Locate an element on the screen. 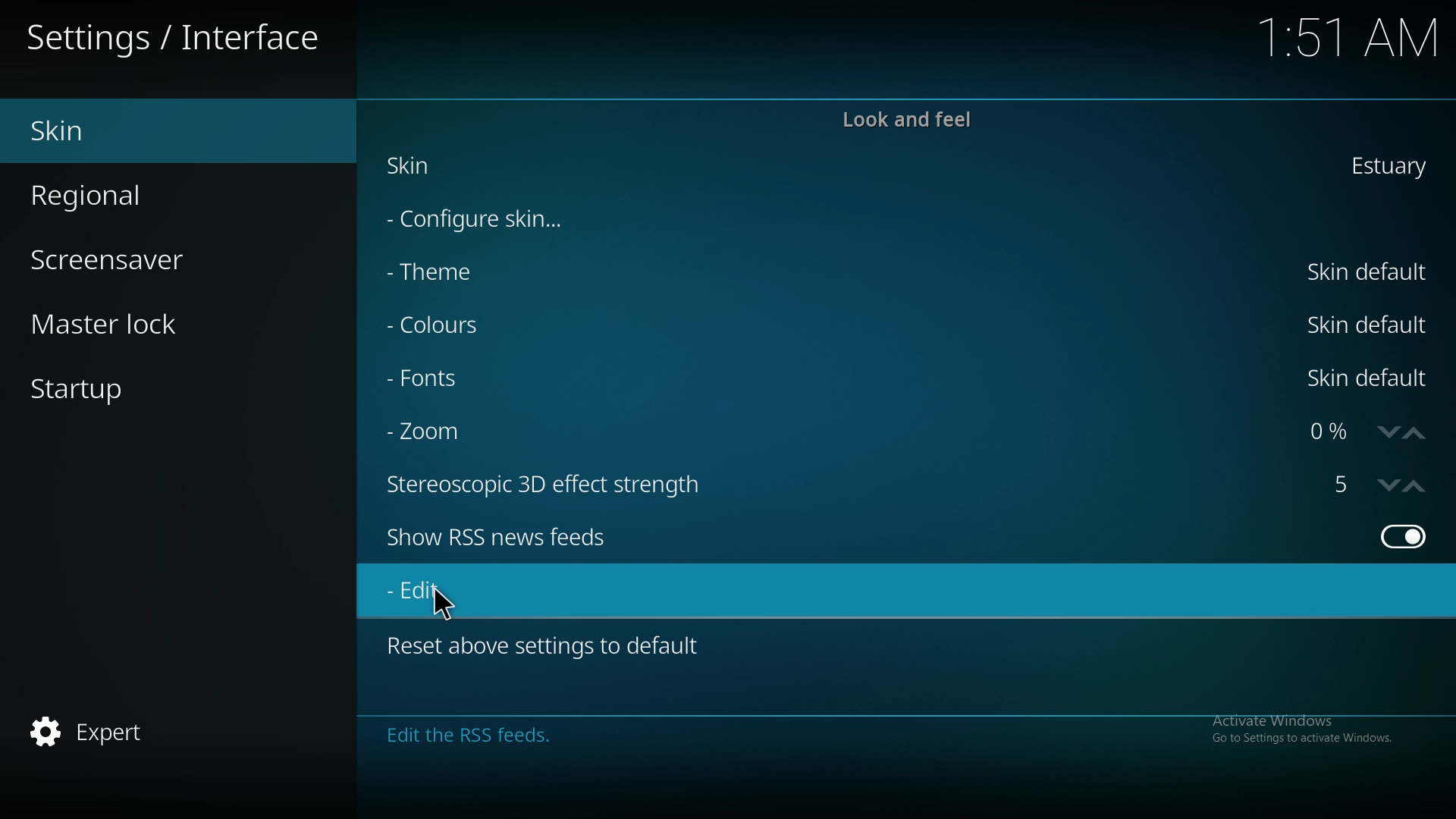 The height and width of the screenshot is (819, 1456). 1:51 AM is located at coordinates (1345, 40).